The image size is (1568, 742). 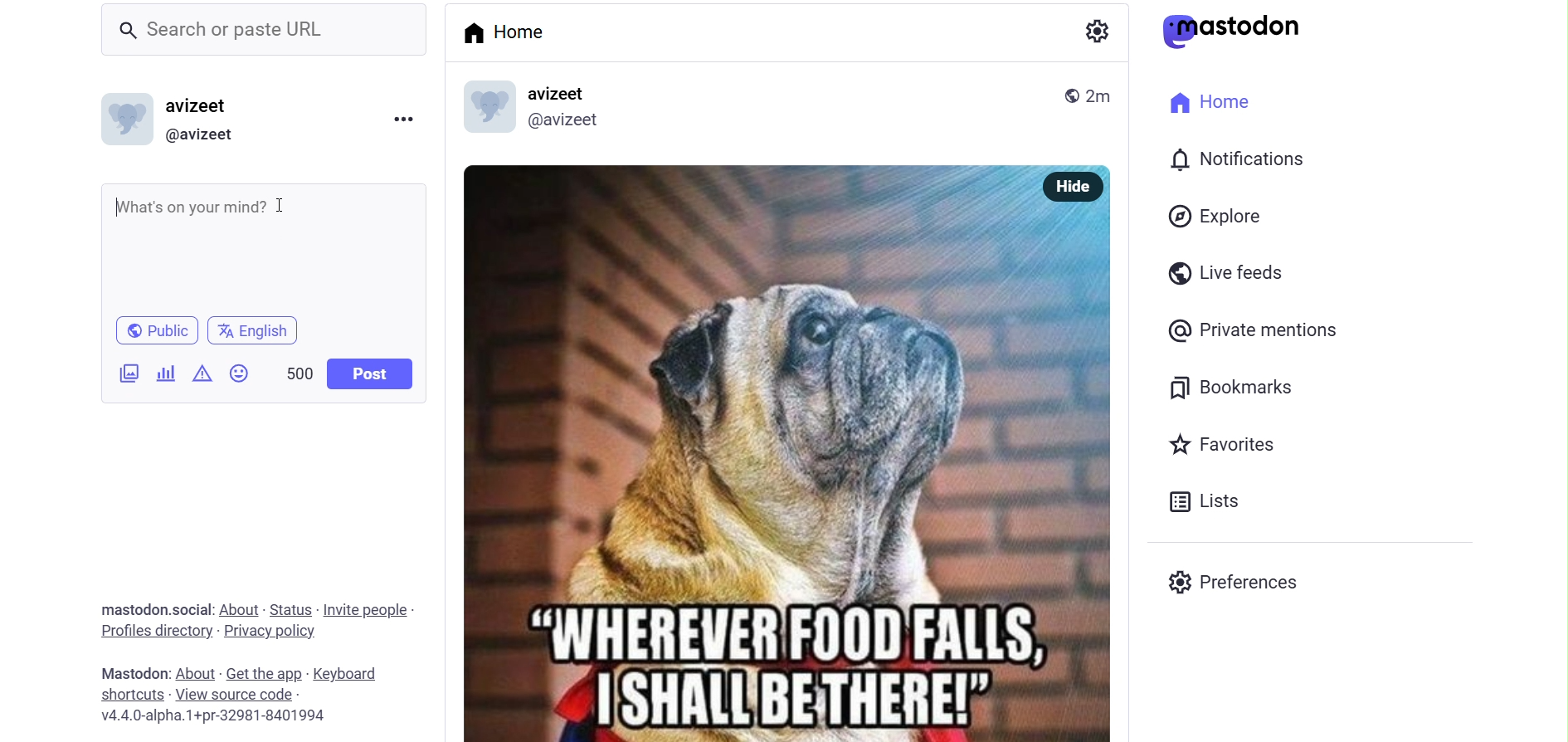 What do you see at coordinates (1070, 184) in the screenshot?
I see `hide` at bounding box center [1070, 184].